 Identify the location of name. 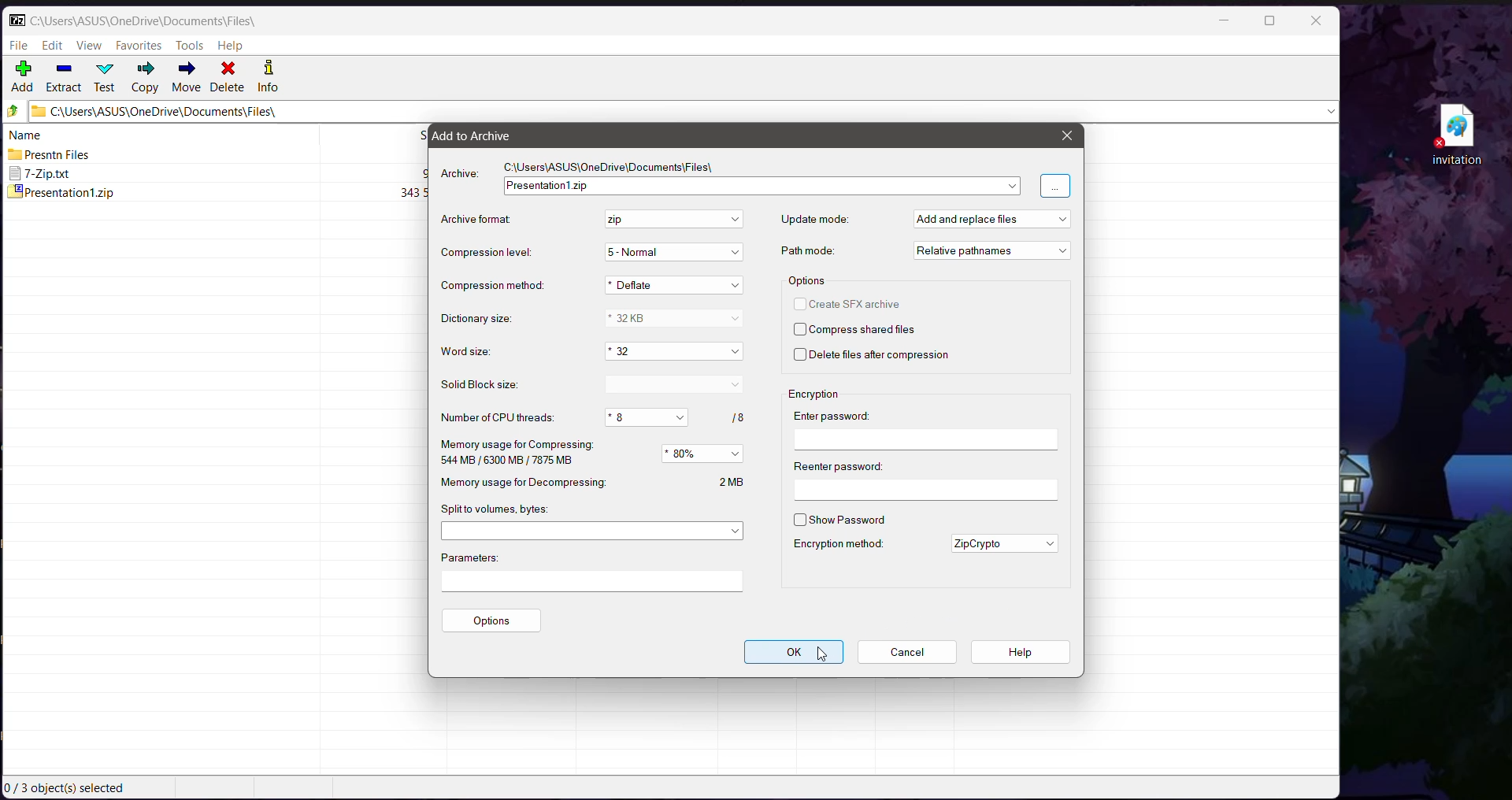
(26, 134).